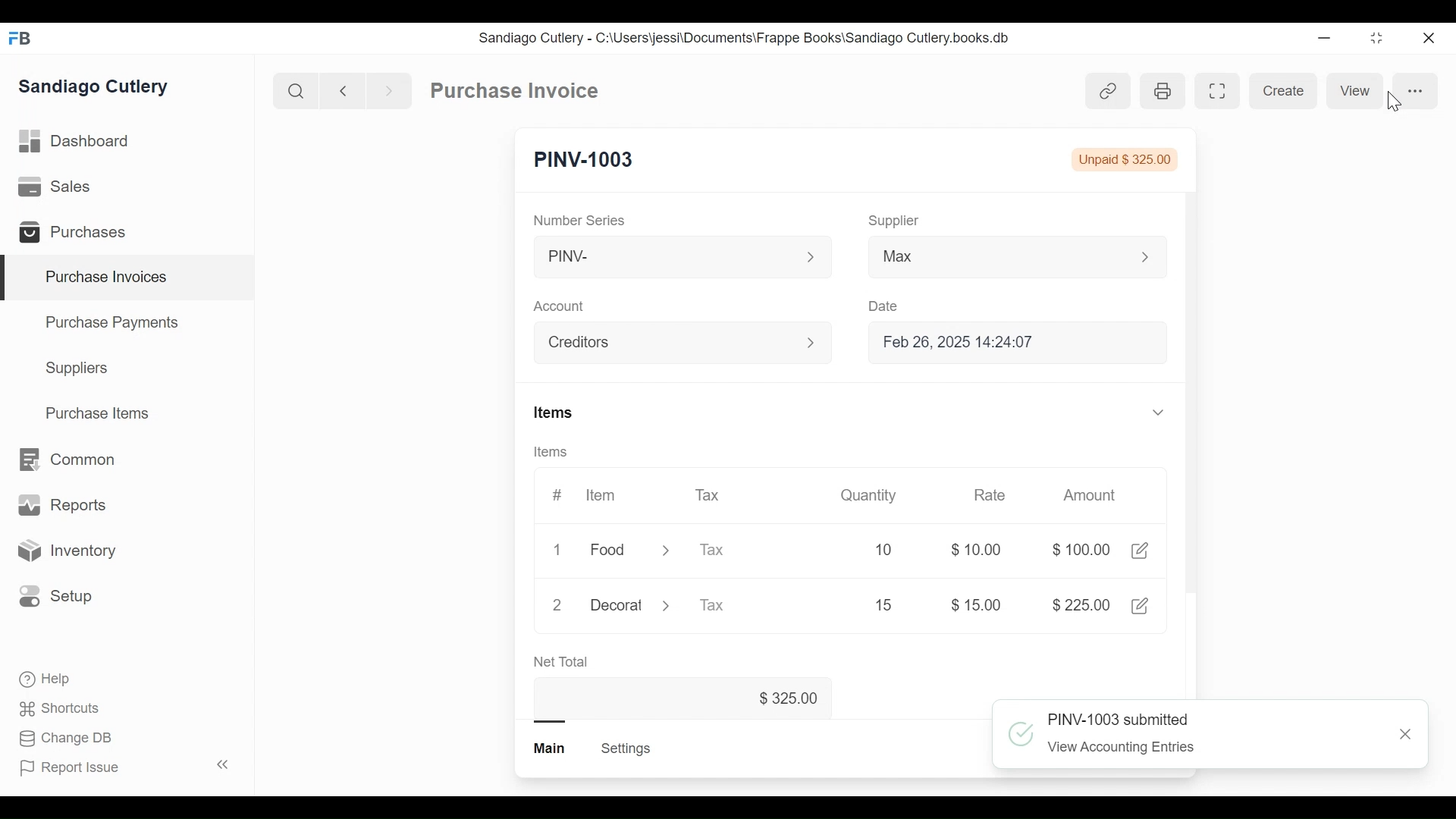 The height and width of the screenshot is (819, 1456). I want to click on Tax, so click(707, 494).